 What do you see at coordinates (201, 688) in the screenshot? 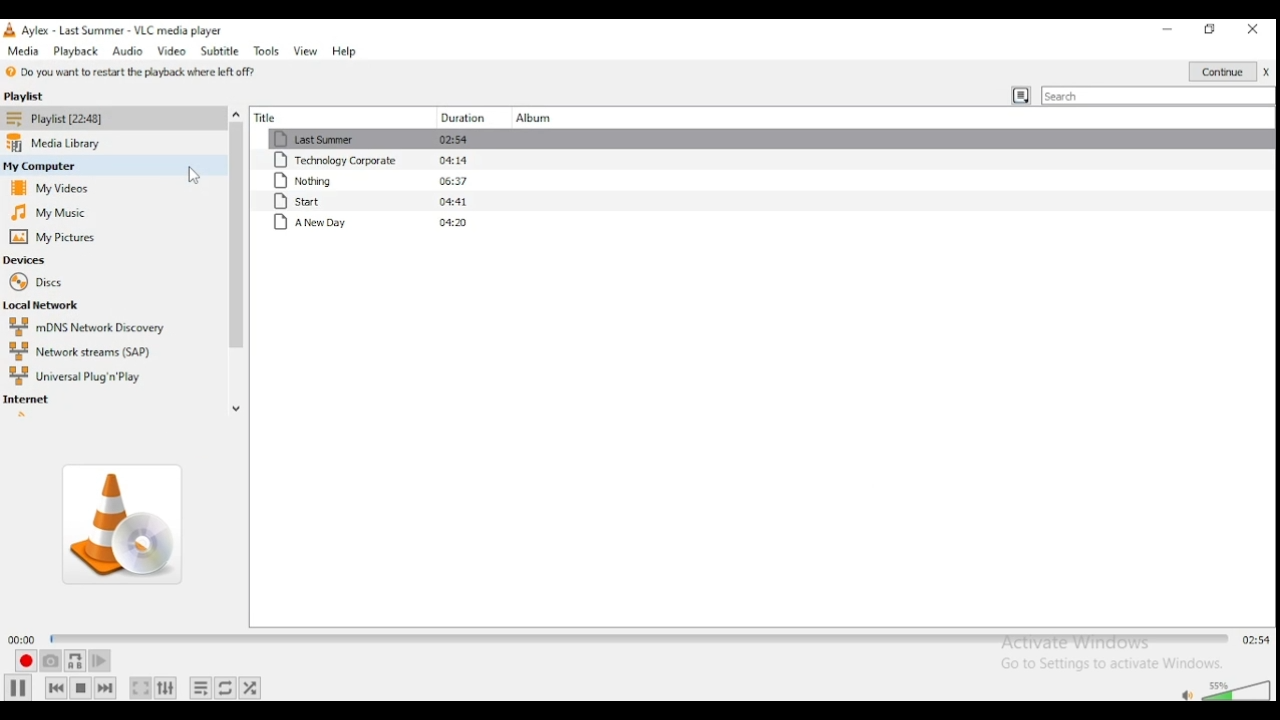
I see `toggle playlist` at bounding box center [201, 688].